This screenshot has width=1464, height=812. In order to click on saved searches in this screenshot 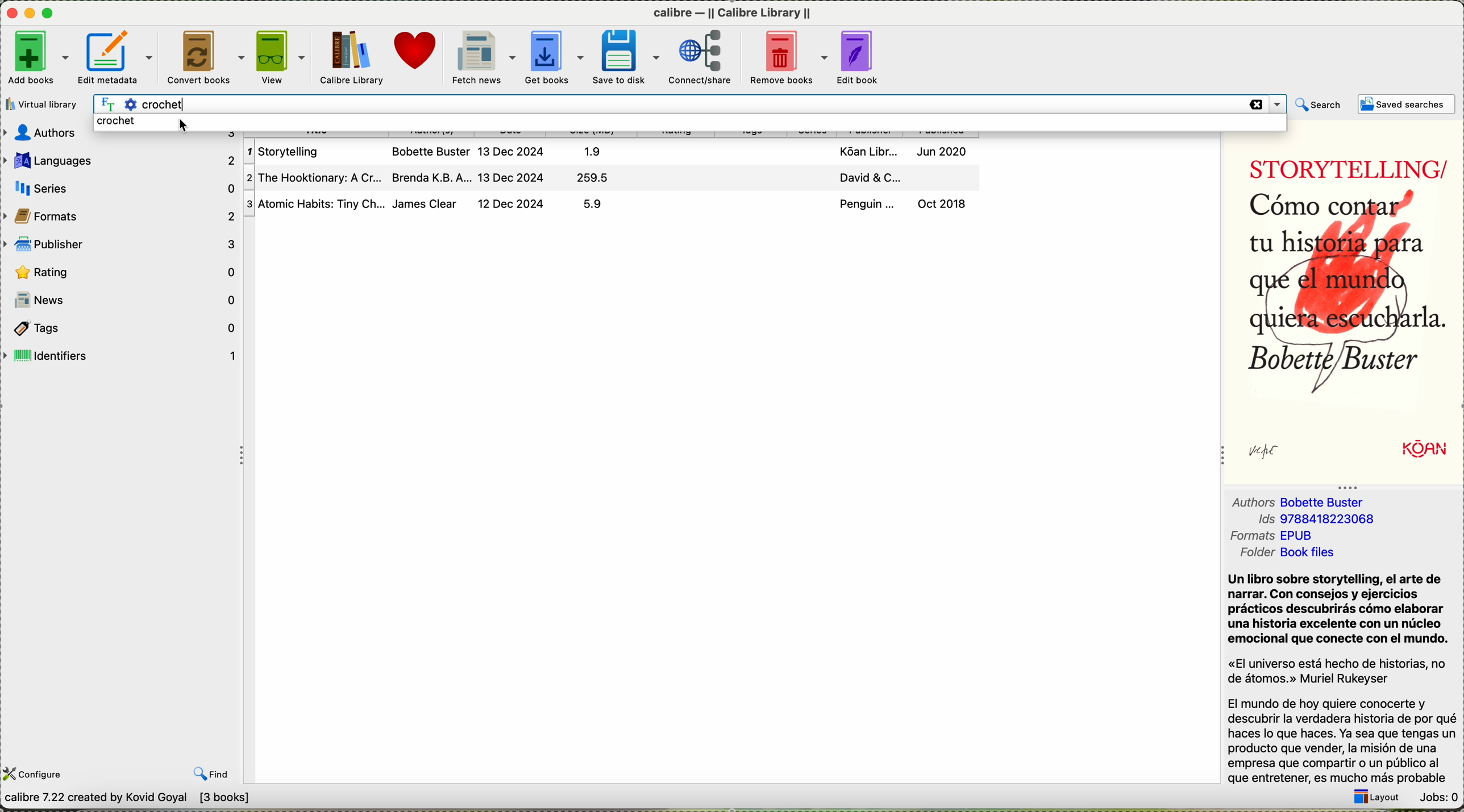, I will do `click(1408, 104)`.